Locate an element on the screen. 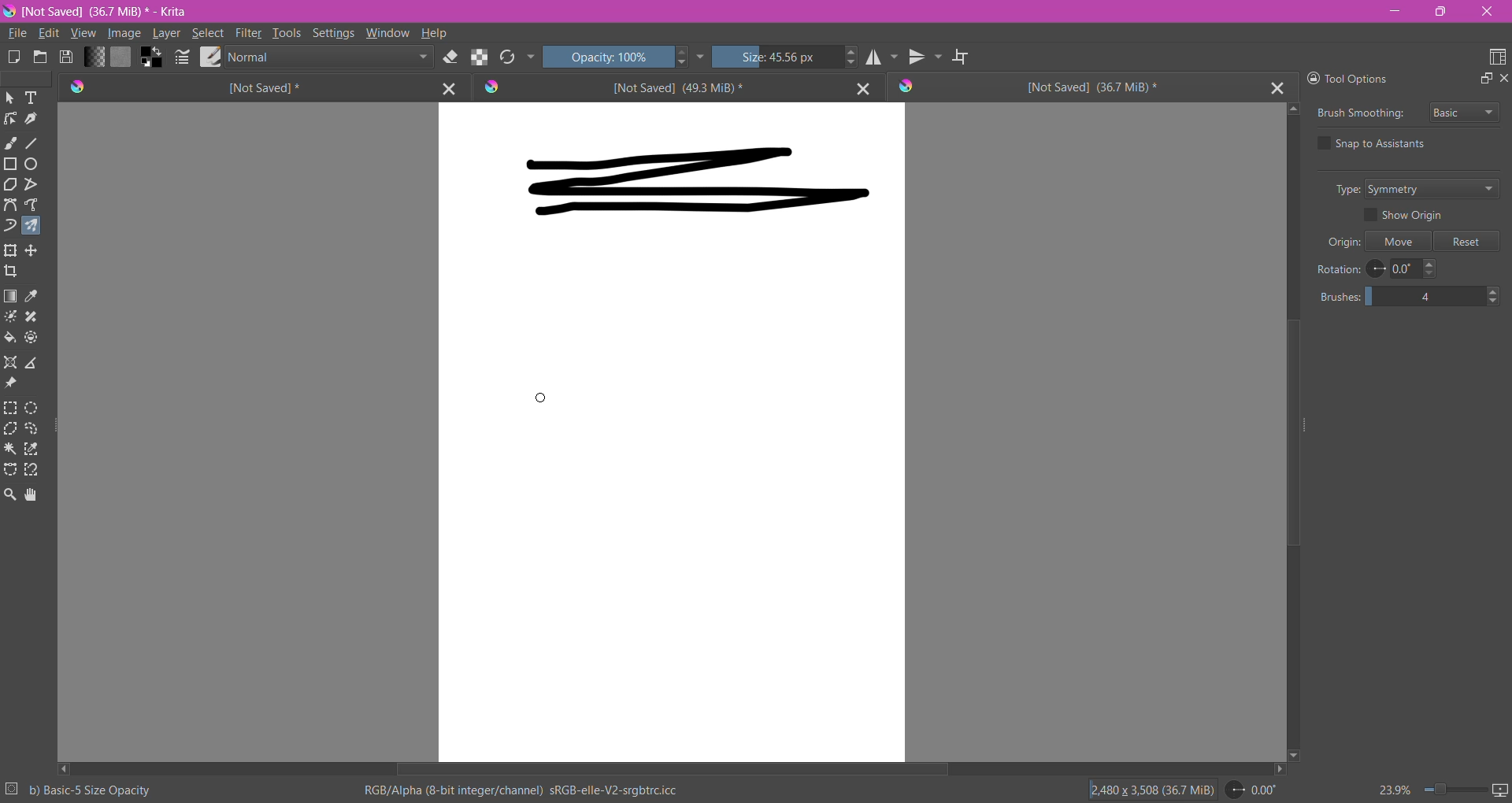   is located at coordinates (332, 34).